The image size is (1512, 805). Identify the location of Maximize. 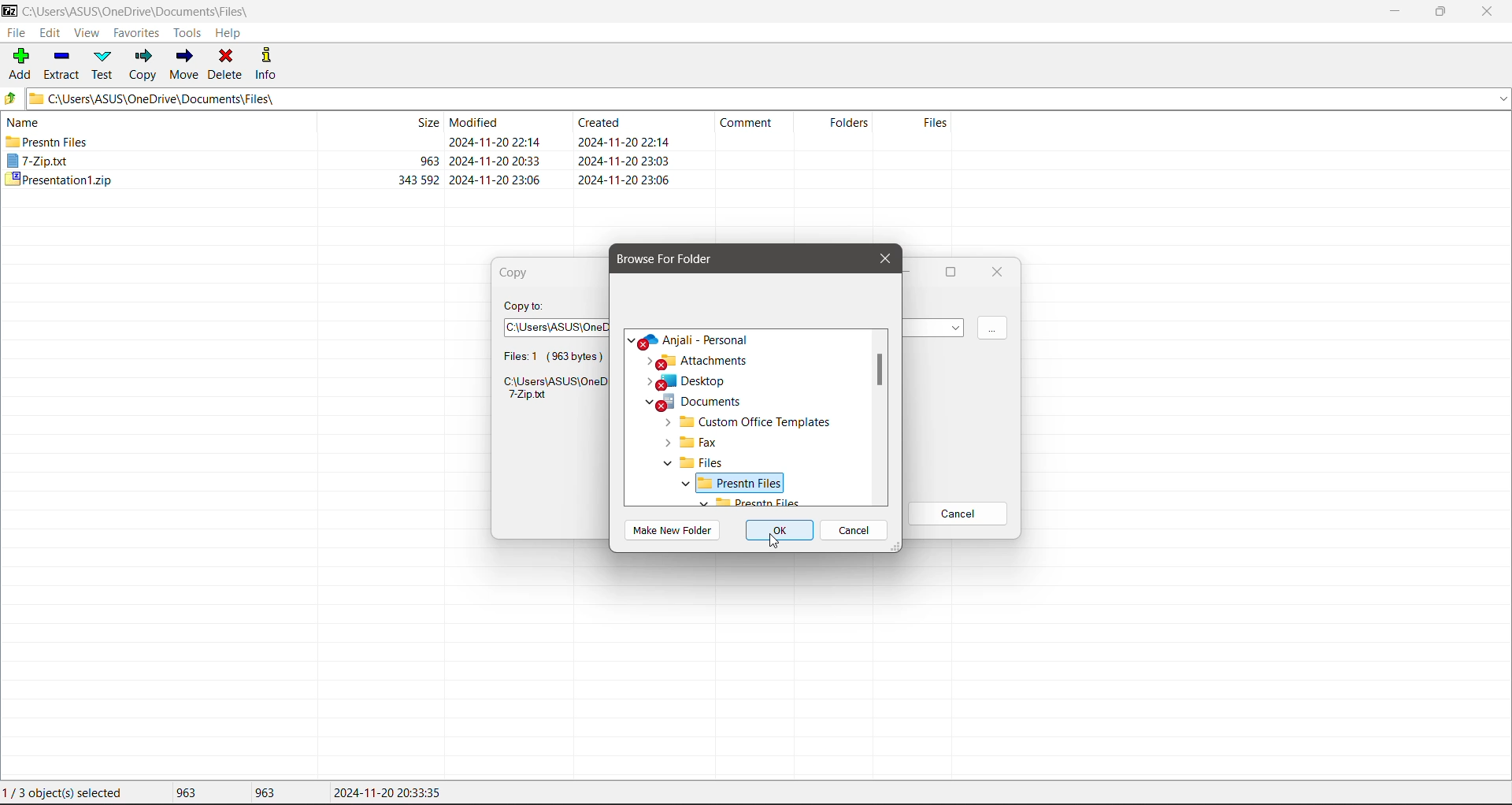
(955, 272).